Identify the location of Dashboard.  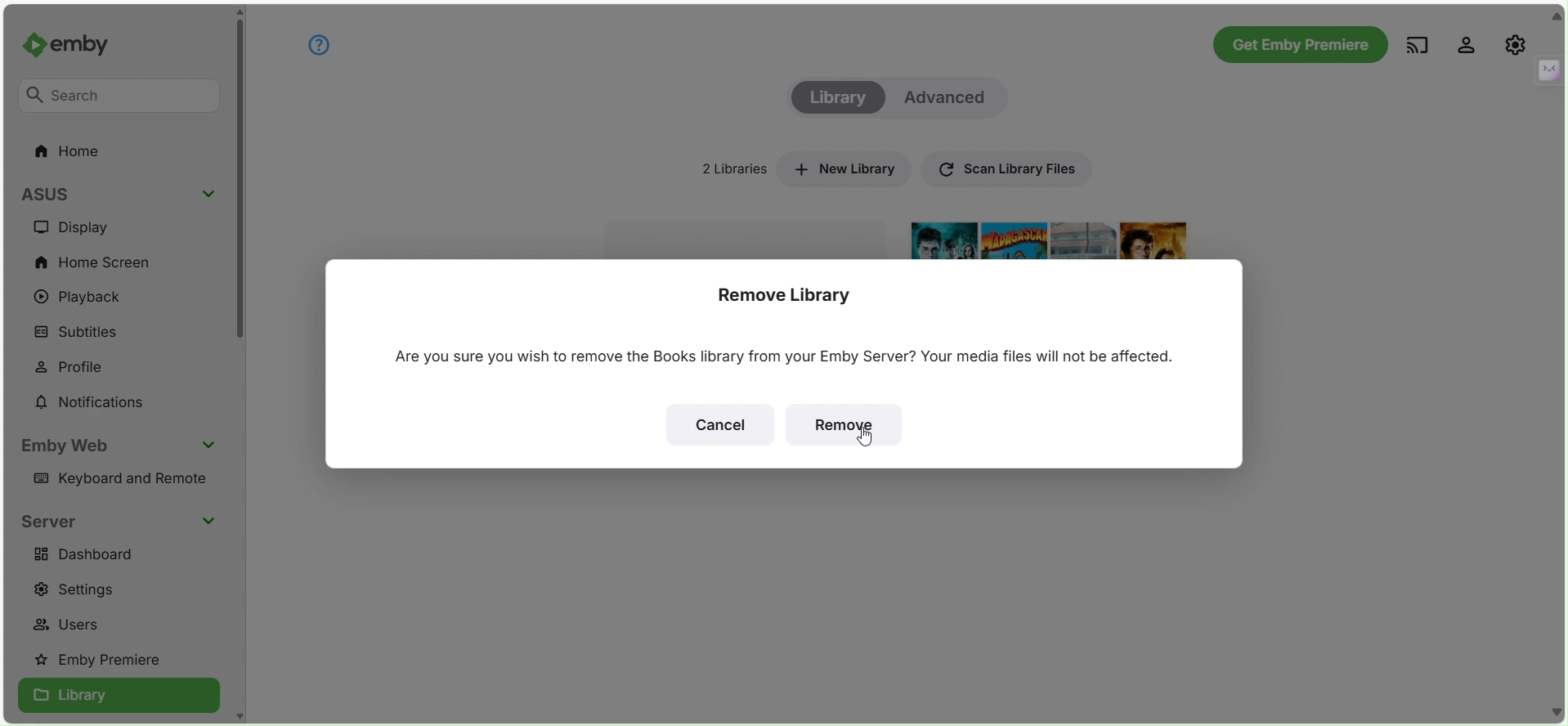
(90, 553).